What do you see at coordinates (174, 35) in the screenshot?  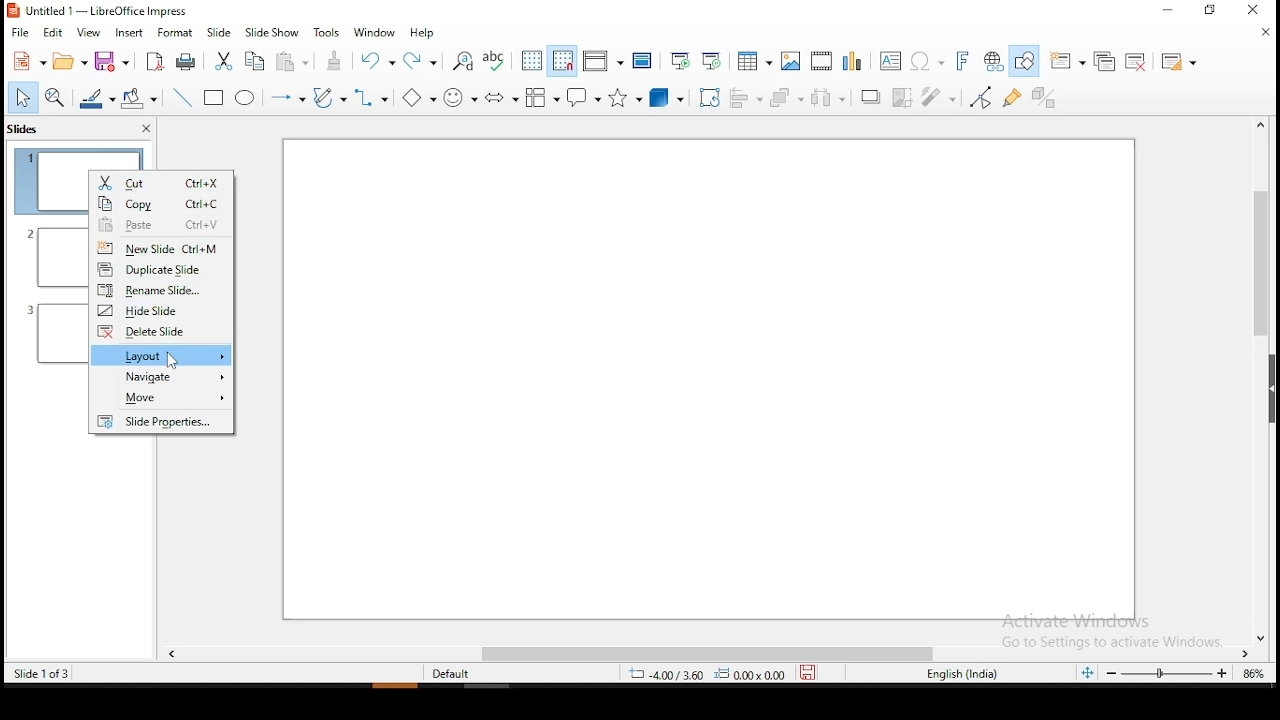 I see `format` at bounding box center [174, 35].